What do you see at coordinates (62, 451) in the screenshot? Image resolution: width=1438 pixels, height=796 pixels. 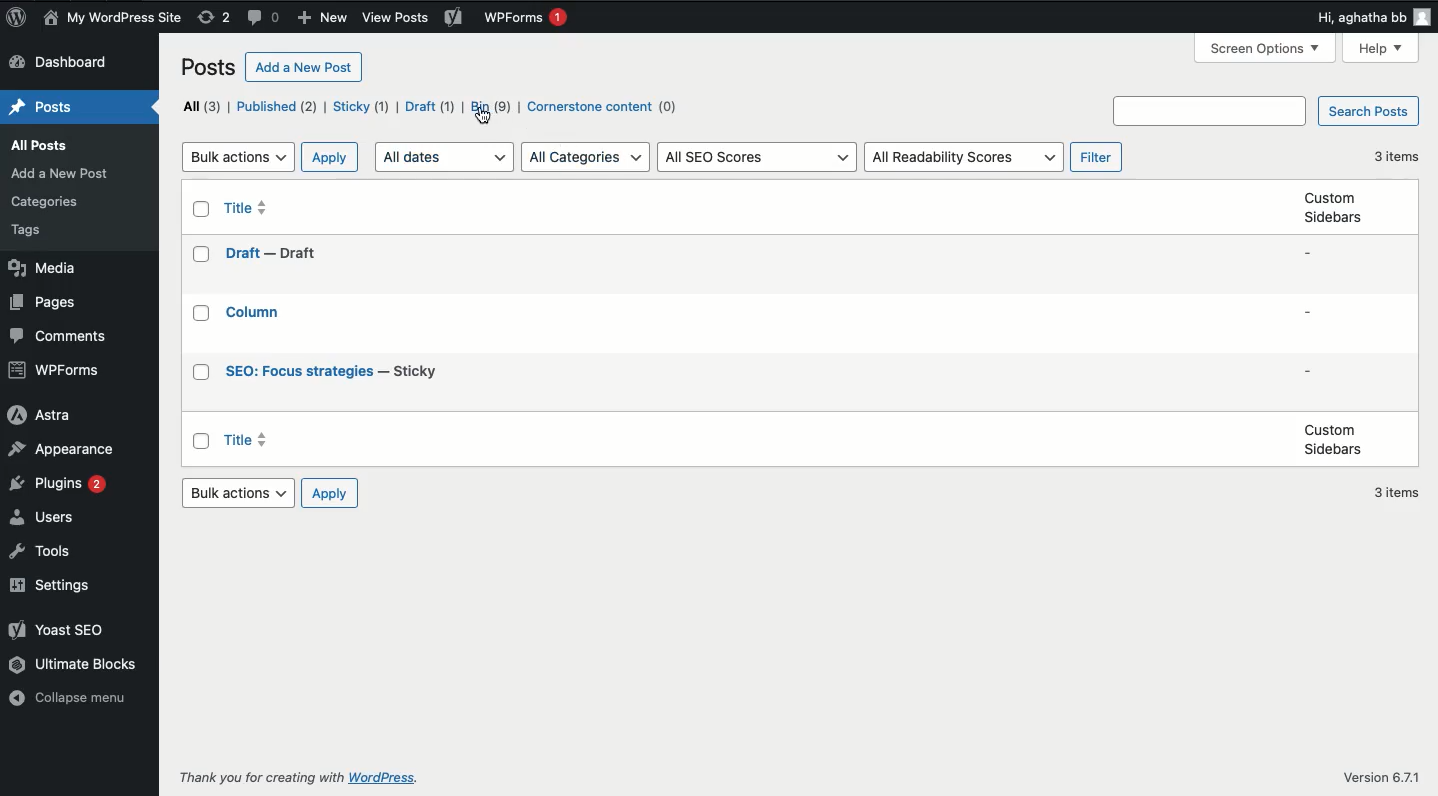 I see `Appearance ` at bounding box center [62, 451].